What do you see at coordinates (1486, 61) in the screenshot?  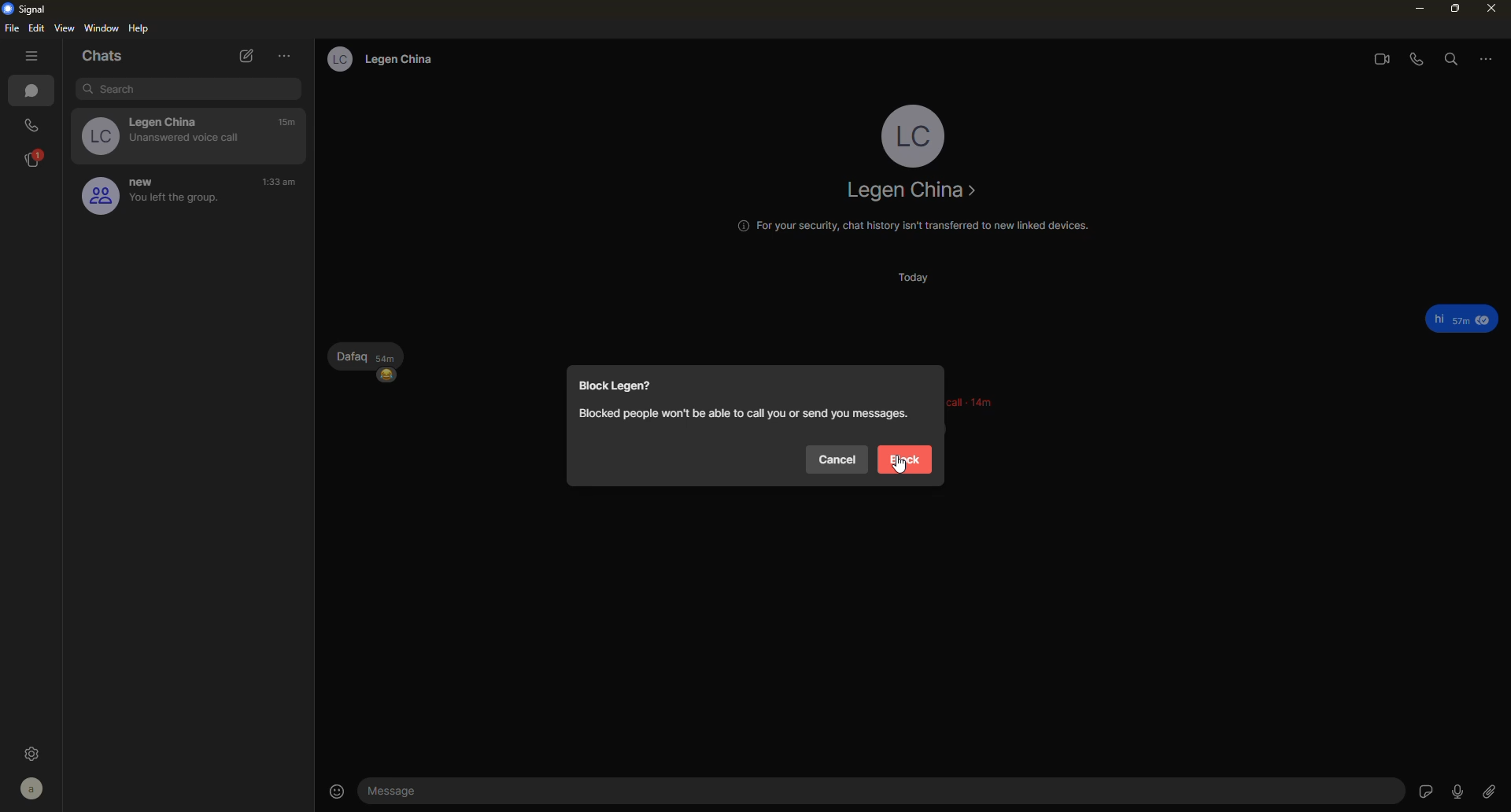 I see `more` at bounding box center [1486, 61].